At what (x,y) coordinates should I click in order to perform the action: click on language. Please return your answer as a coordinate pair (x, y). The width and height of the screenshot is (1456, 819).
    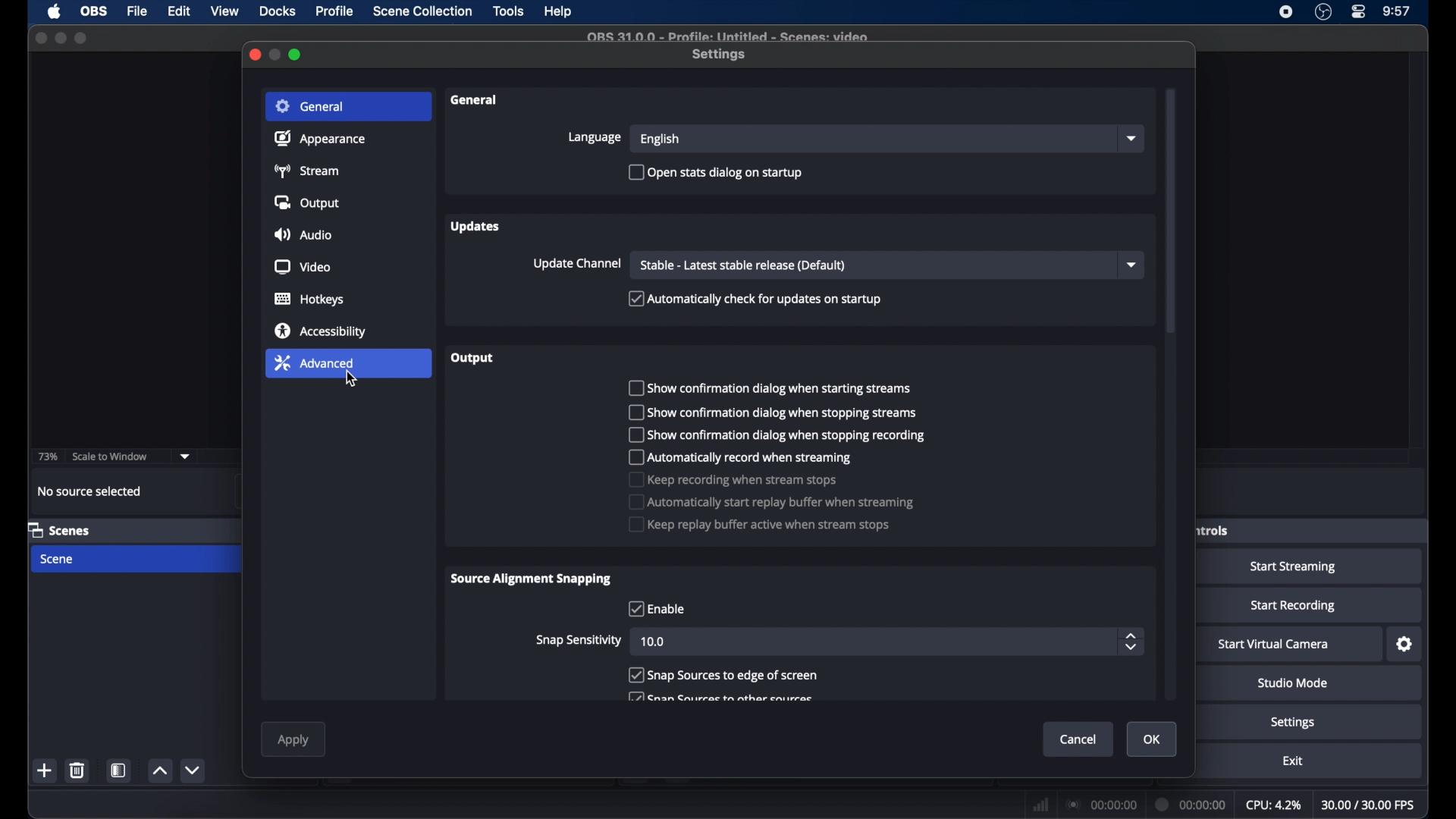
    Looking at the image, I should click on (597, 137).